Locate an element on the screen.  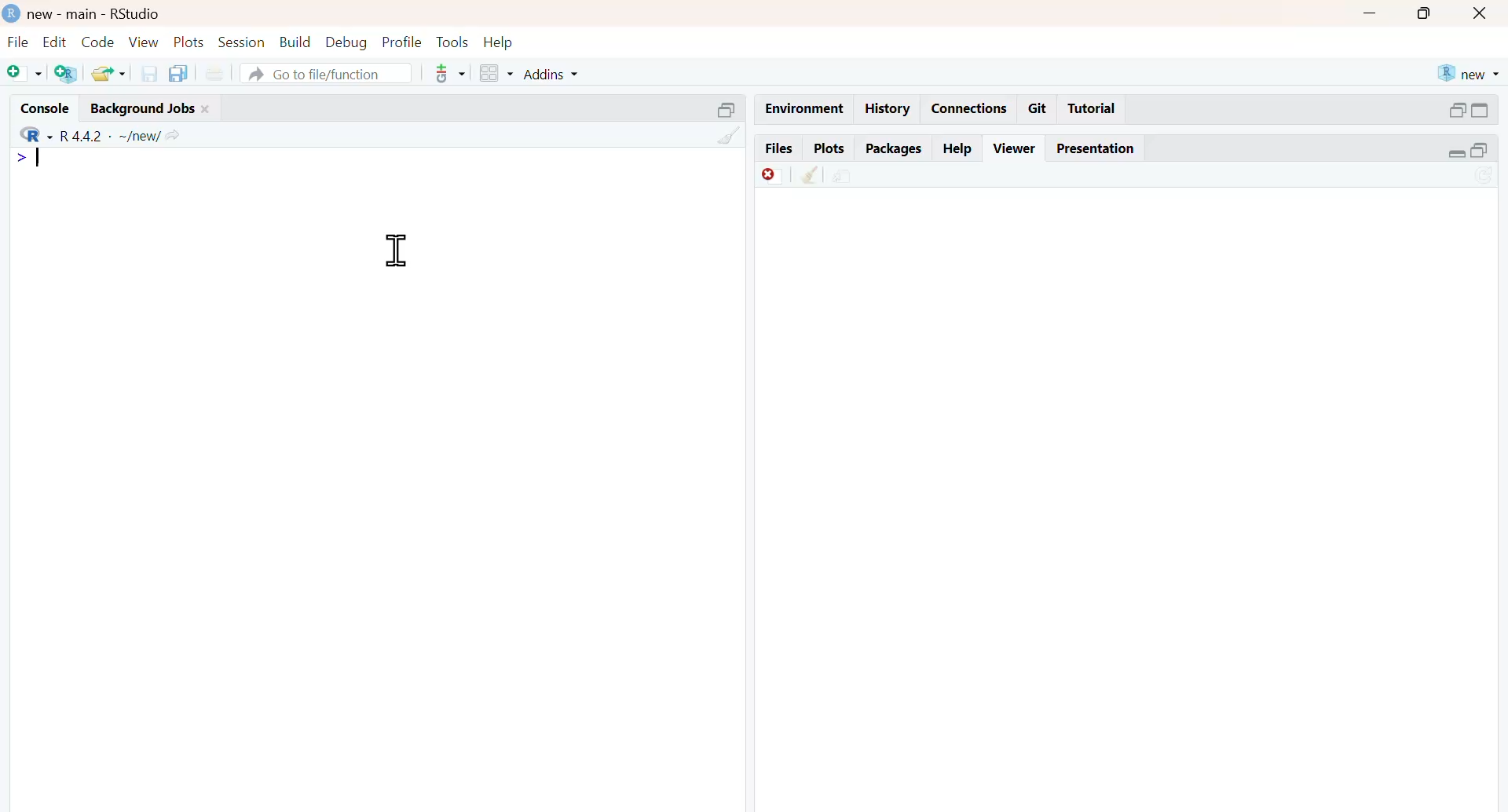
R is located at coordinates (35, 134).